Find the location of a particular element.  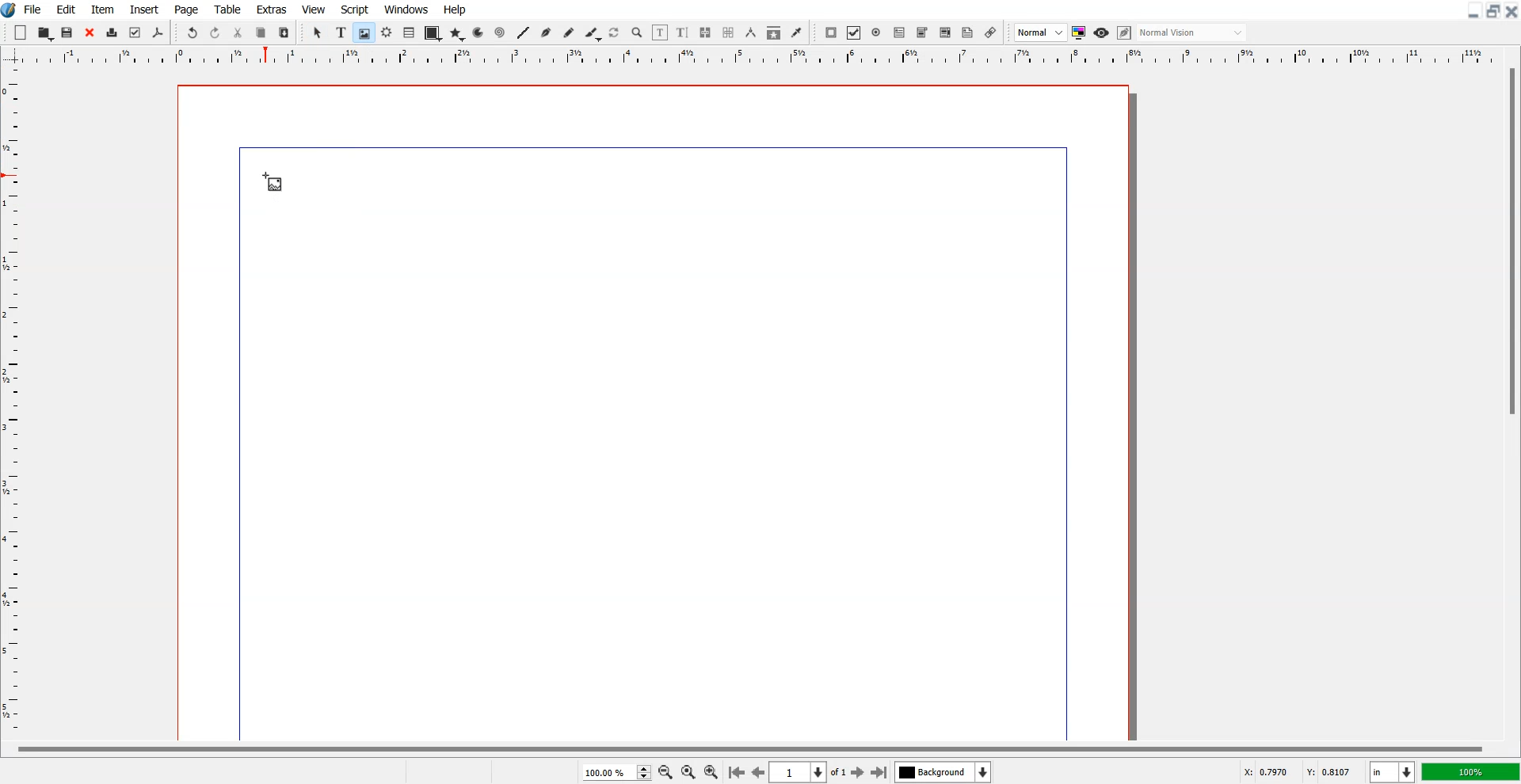

Maximize is located at coordinates (1492, 11).